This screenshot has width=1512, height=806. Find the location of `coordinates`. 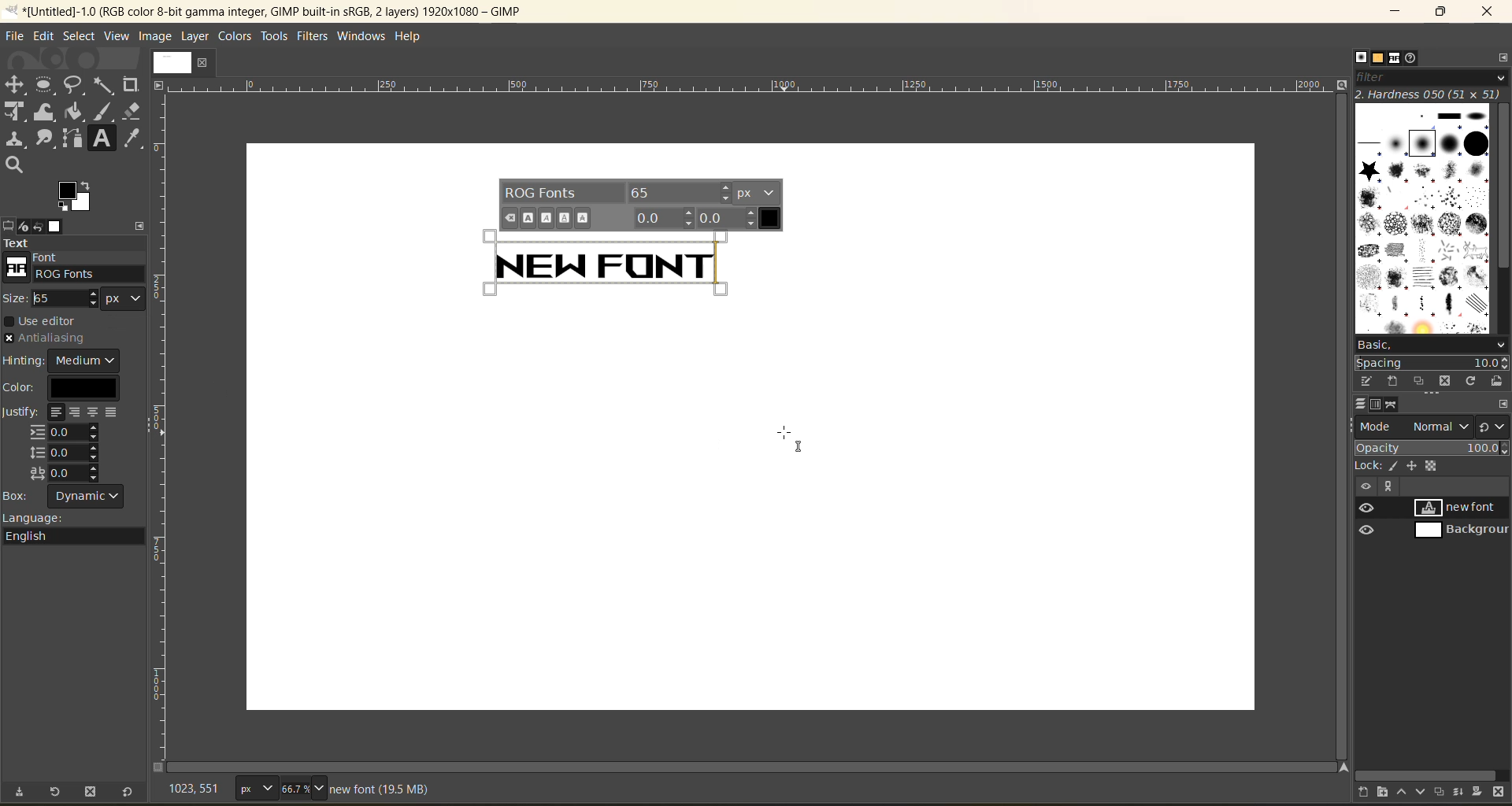

coordinates is located at coordinates (201, 789).